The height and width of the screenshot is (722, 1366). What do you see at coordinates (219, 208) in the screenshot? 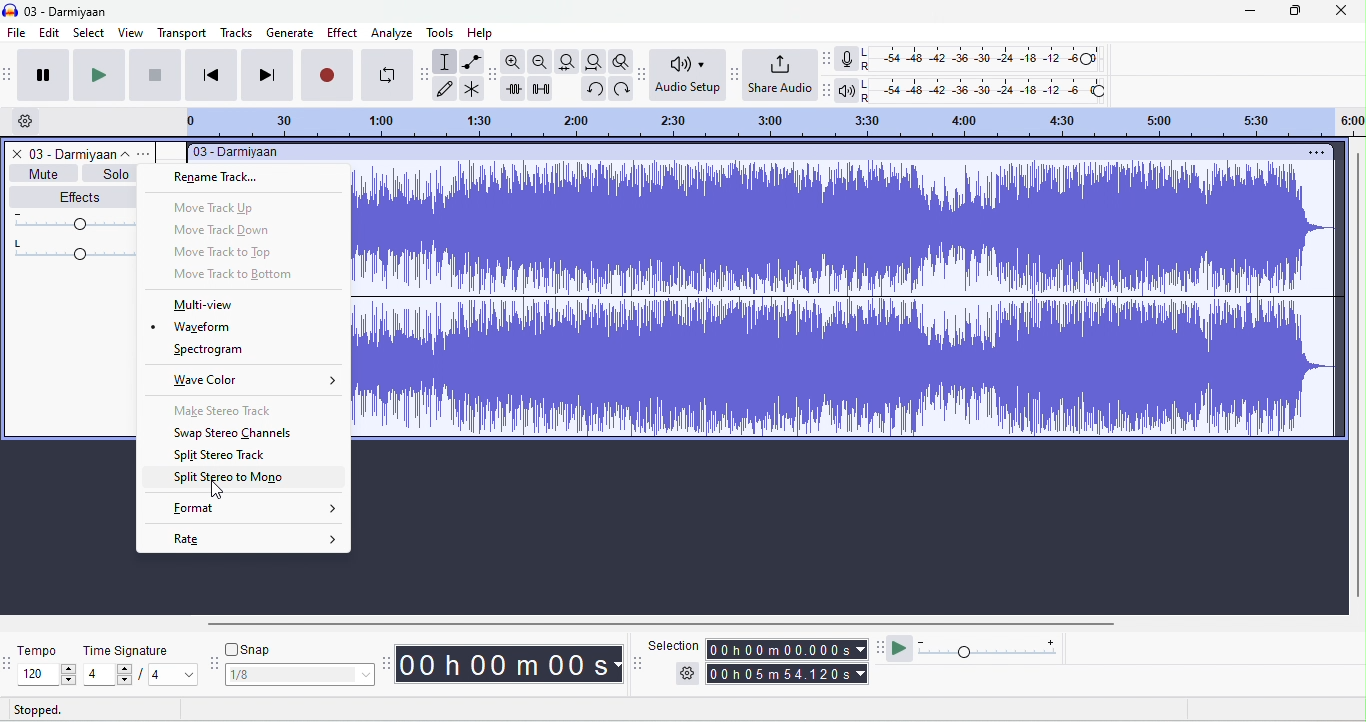
I see `move track up` at bounding box center [219, 208].